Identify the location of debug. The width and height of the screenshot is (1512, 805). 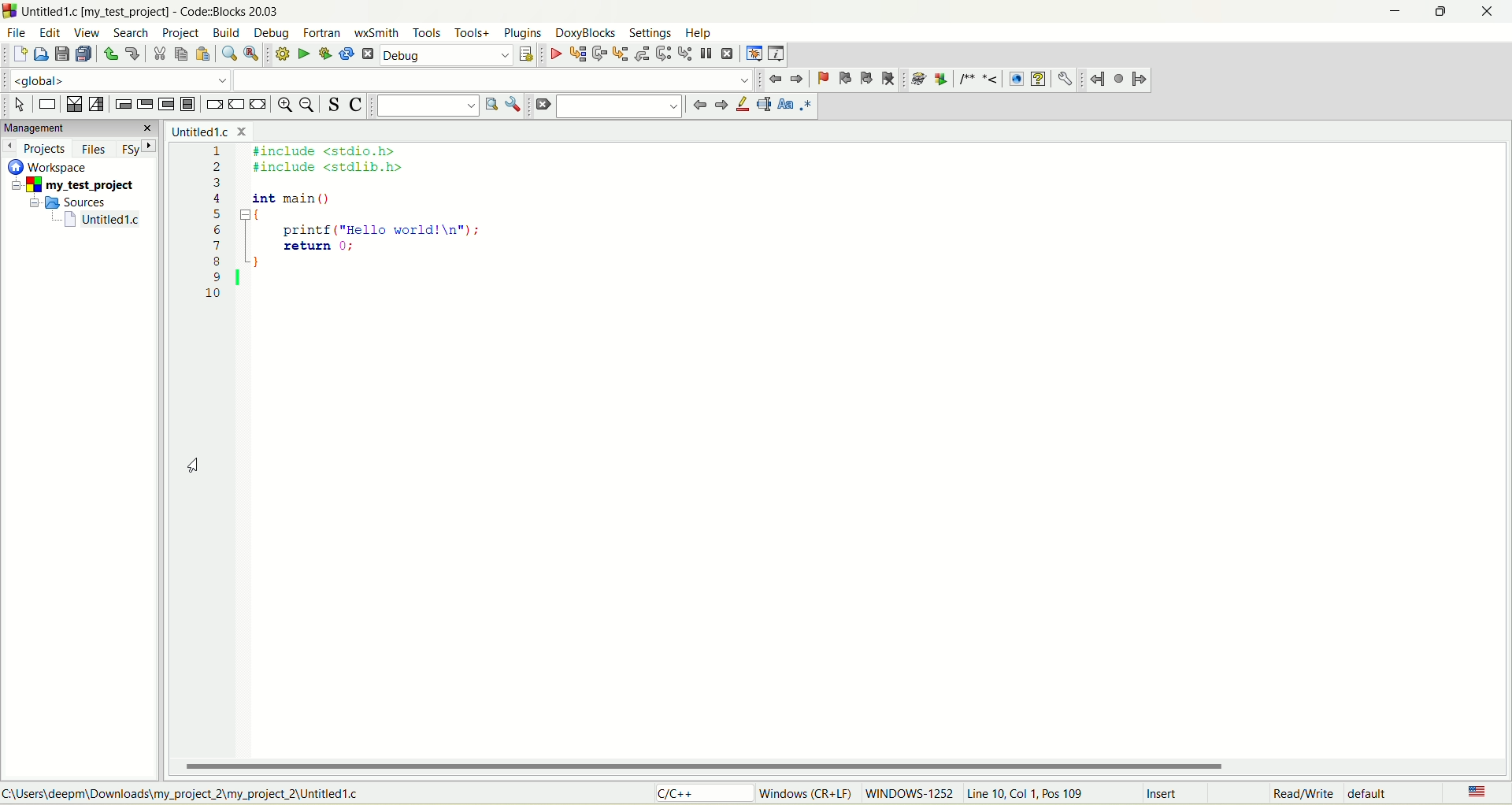
(448, 54).